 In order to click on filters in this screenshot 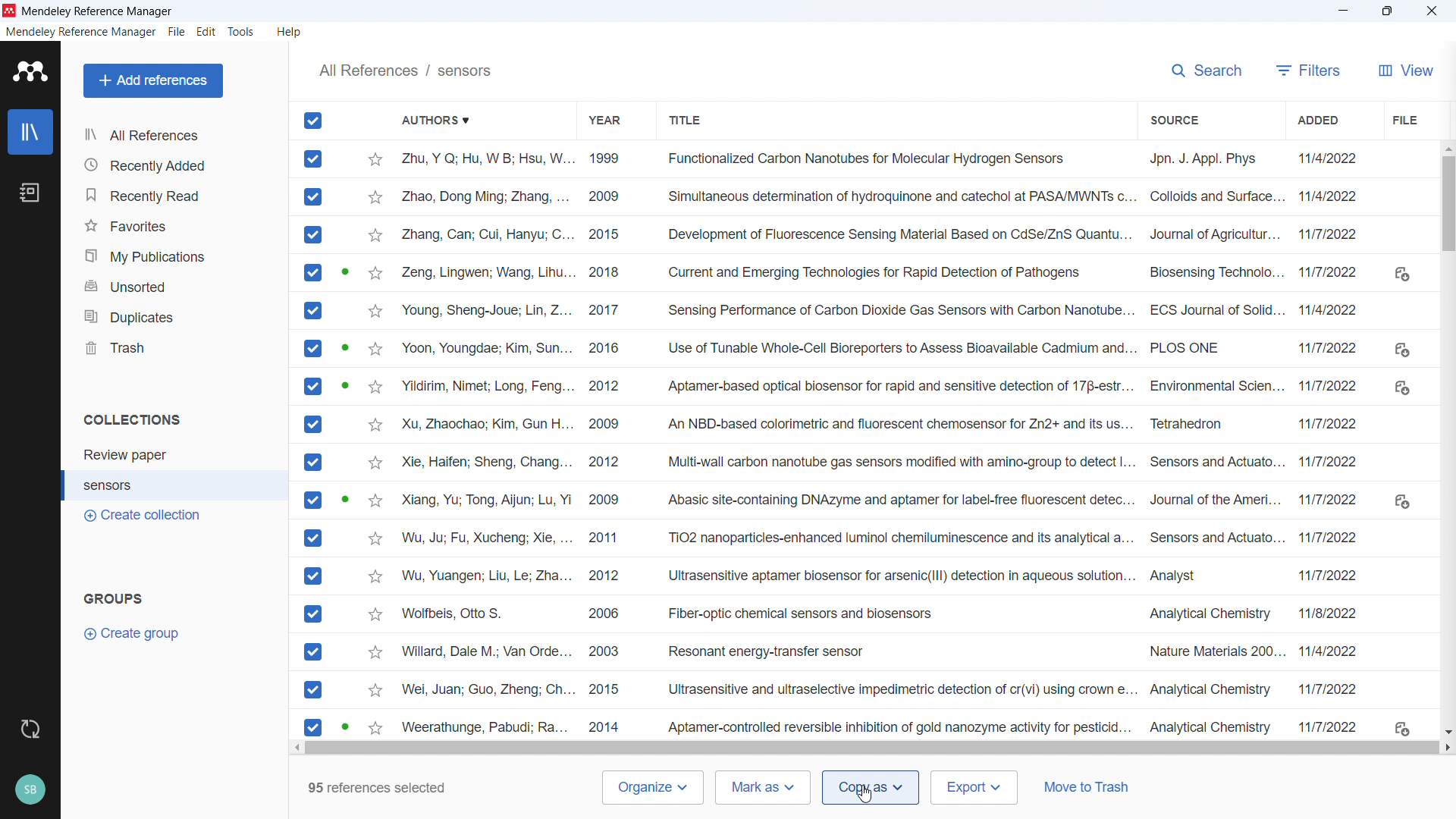, I will do `click(1309, 71)`.